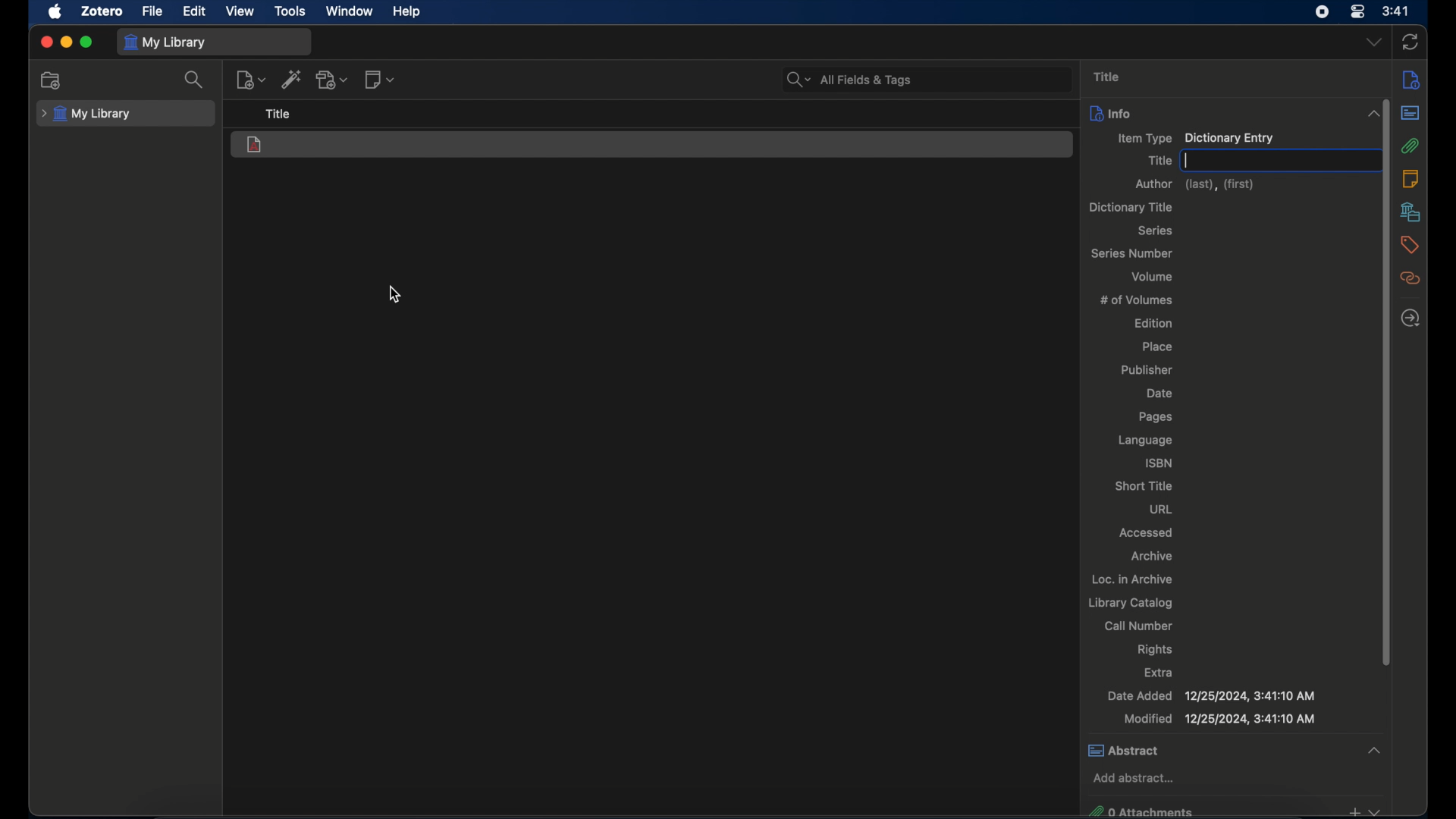 This screenshot has width=1456, height=819. What do you see at coordinates (1153, 276) in the screenshot?
I see `volume` at bounding box center [1153, 276].